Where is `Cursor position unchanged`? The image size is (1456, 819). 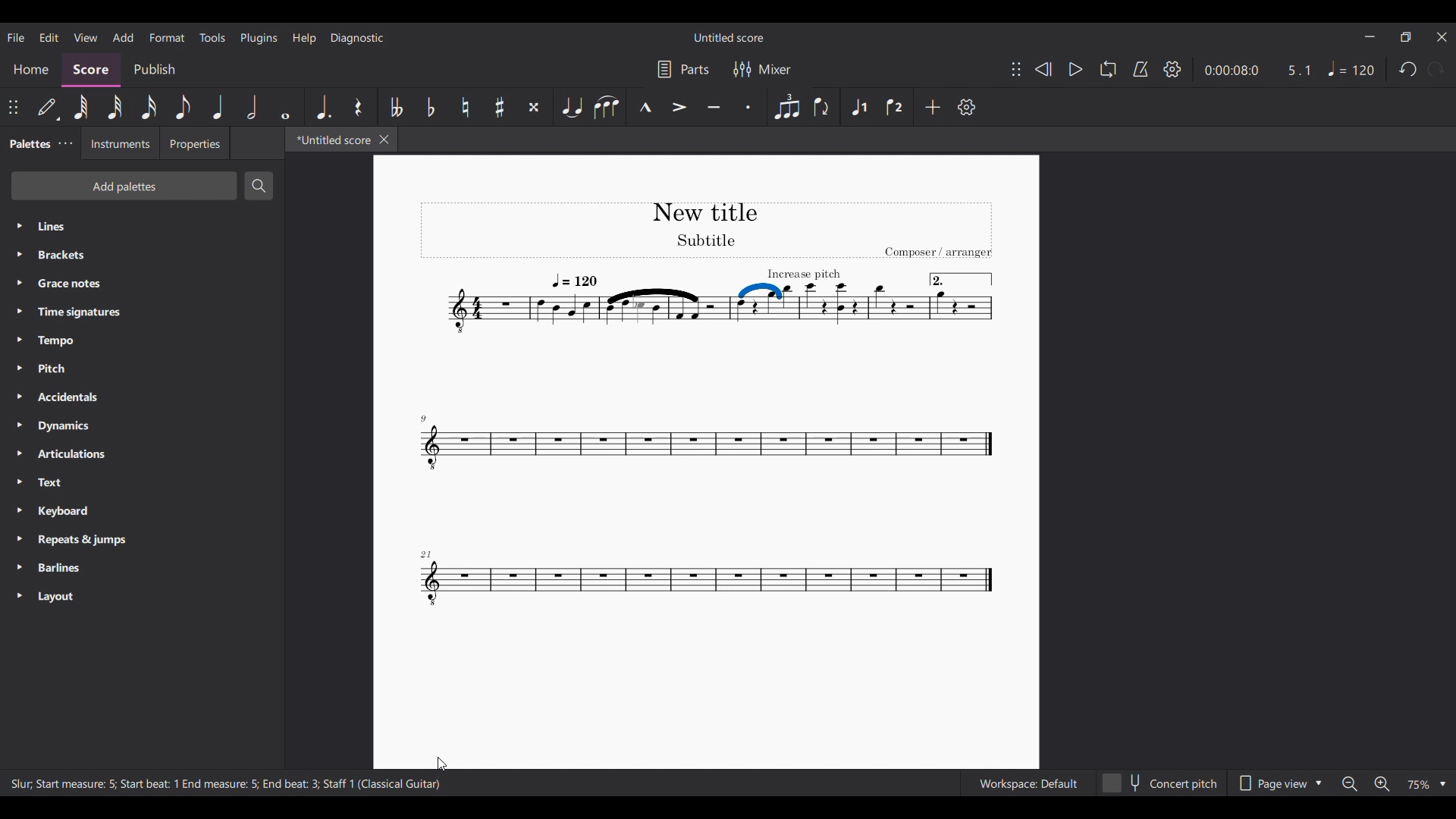
Cursor position unchanged is located at coordinates (442, 764).